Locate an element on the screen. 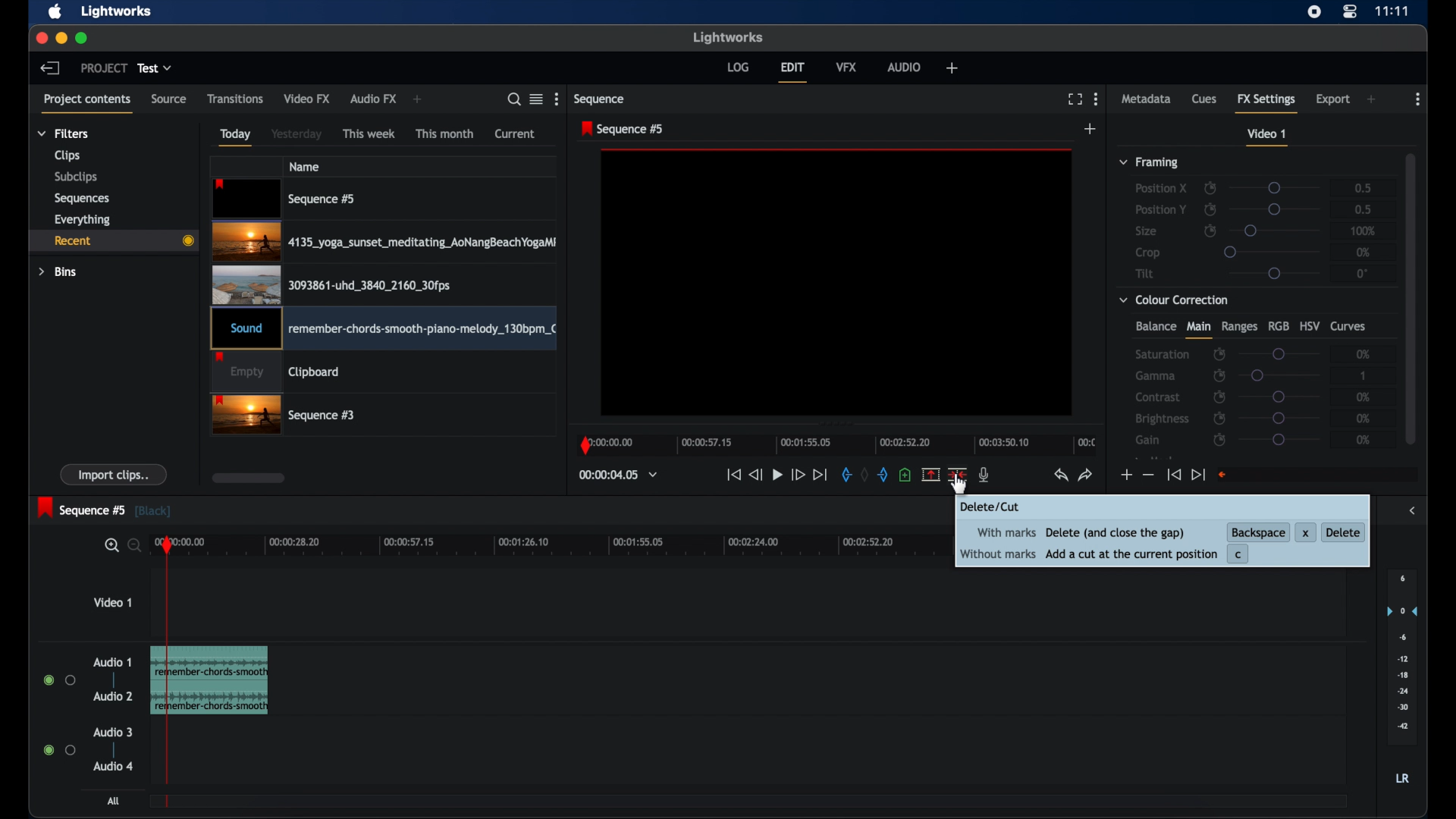 The width and height of the screenshot is (1456, 819). video clip is located at coordinates (384, 242).